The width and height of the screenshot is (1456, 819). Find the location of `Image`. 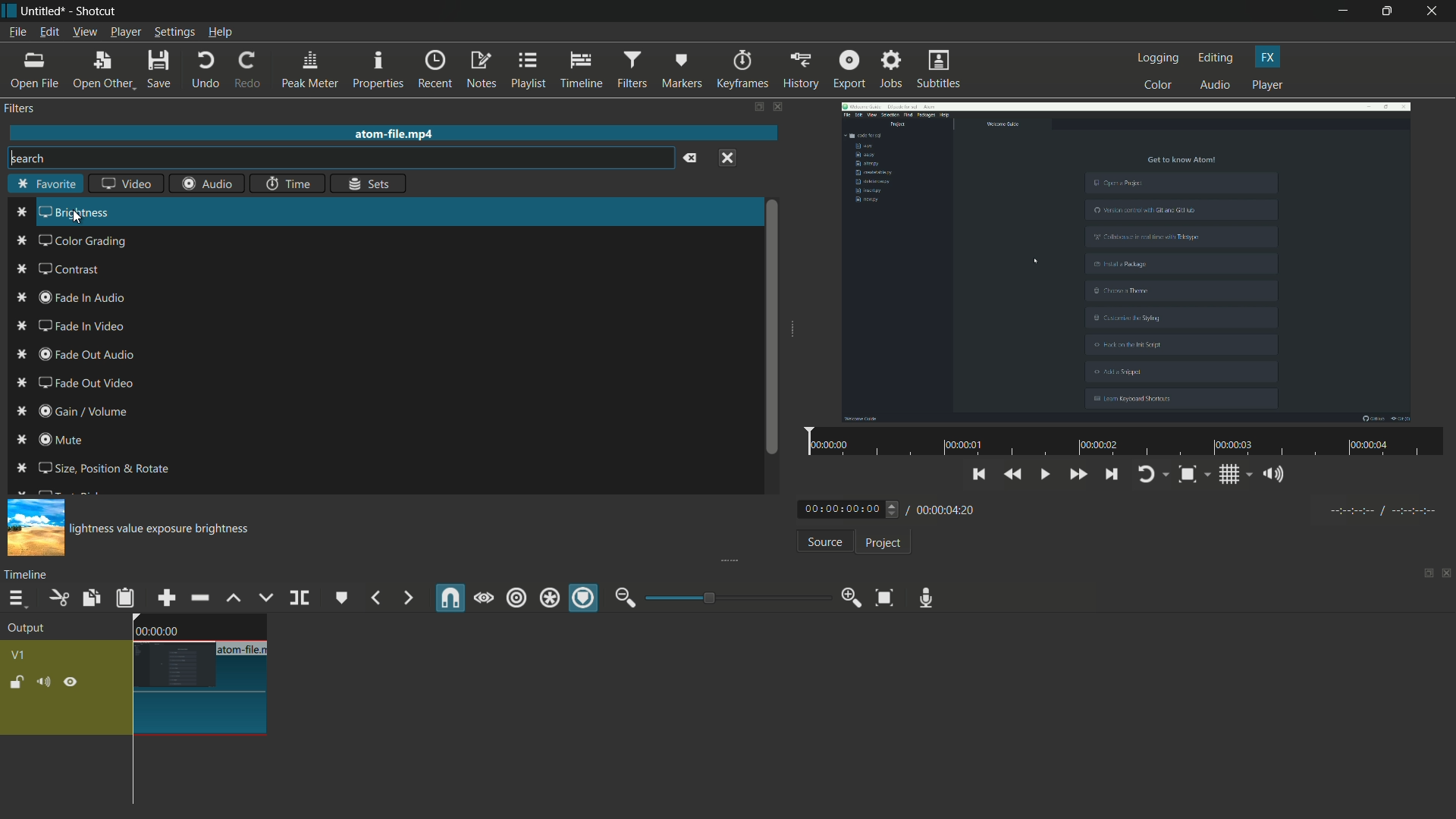

Image is located at coordinates (35, 526).